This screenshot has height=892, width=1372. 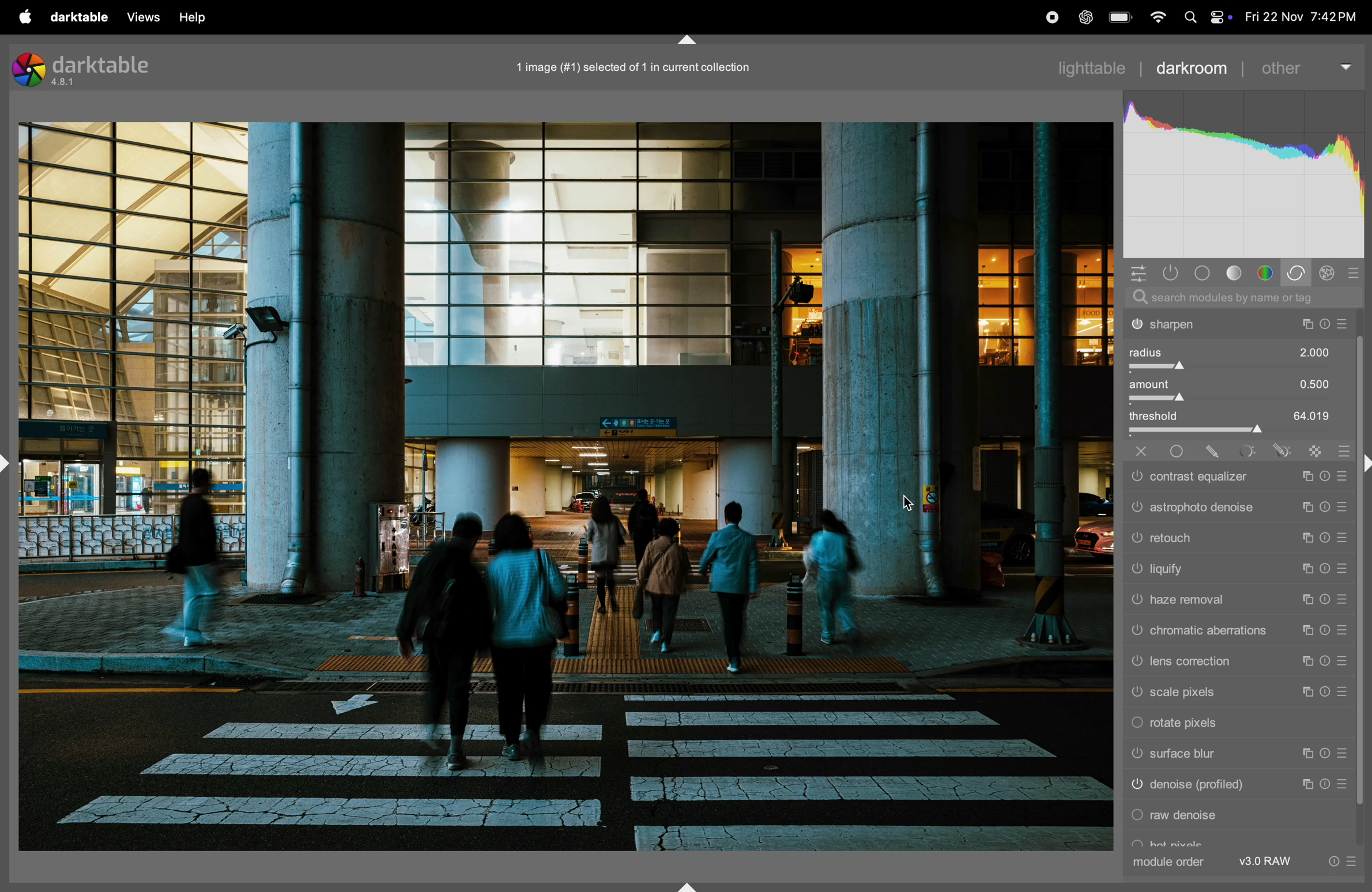 What do you see at coordinates (1171, 861) in the screenshot?
I see `module order` at bounding box center [1171, 861].